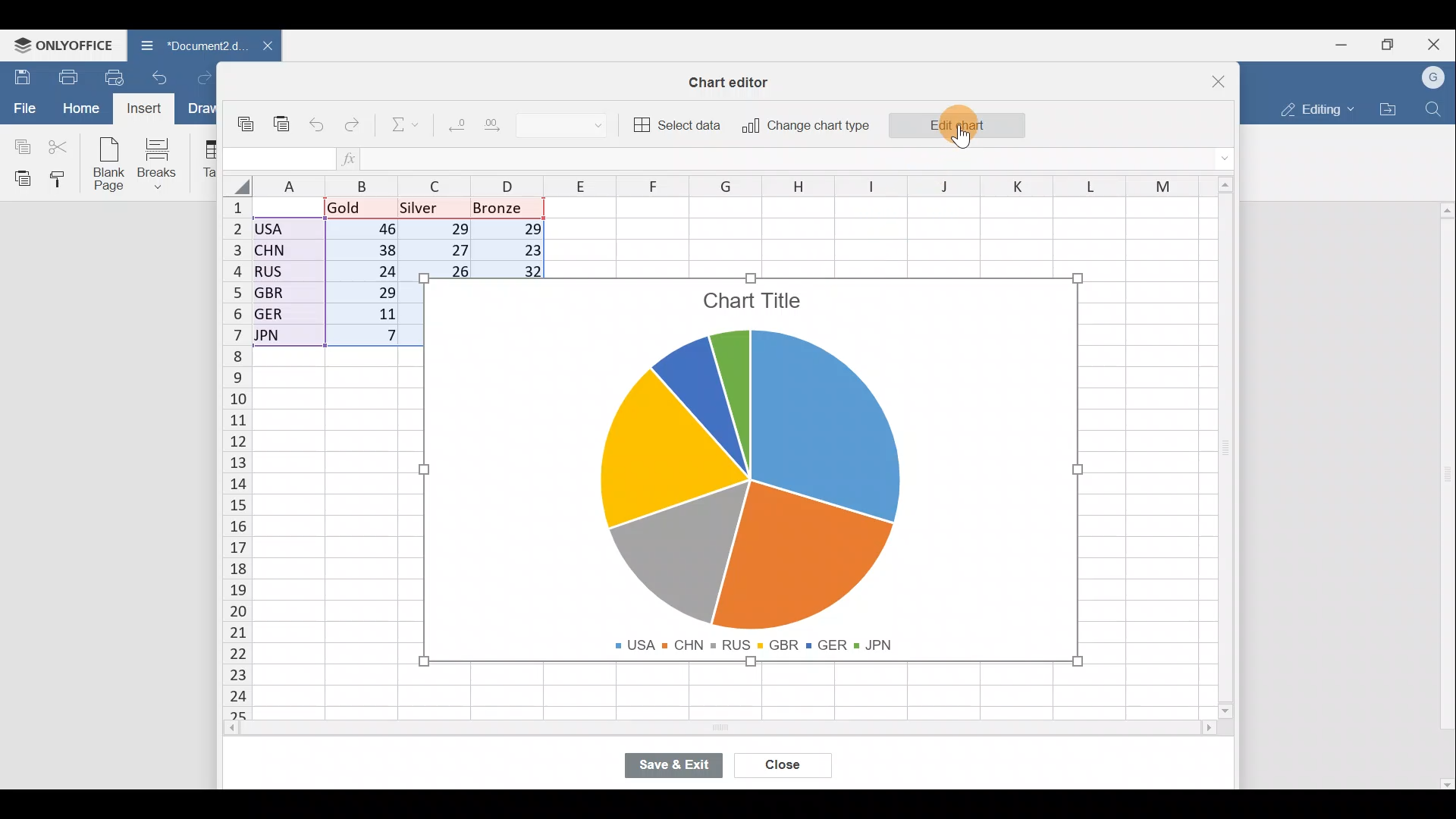 The image size is (1456, 819). Describe the element at coordinates (119, 74) in the screenshot. I see `Quick print` at that location.